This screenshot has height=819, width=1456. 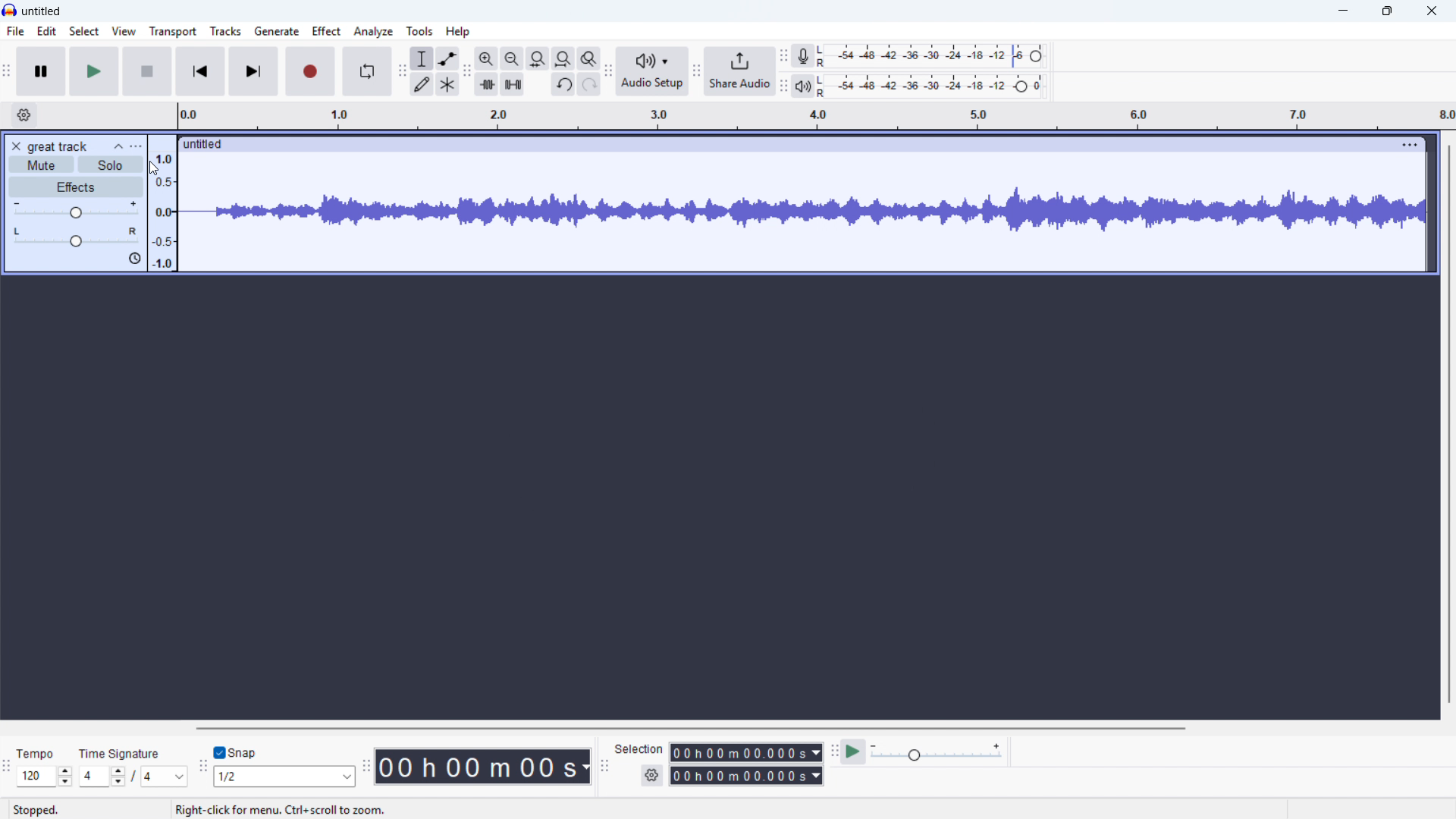 What do you see at coordinates (740, 72) in the screenshot?
I see `Share audio ` at bounding box center [740, 72].